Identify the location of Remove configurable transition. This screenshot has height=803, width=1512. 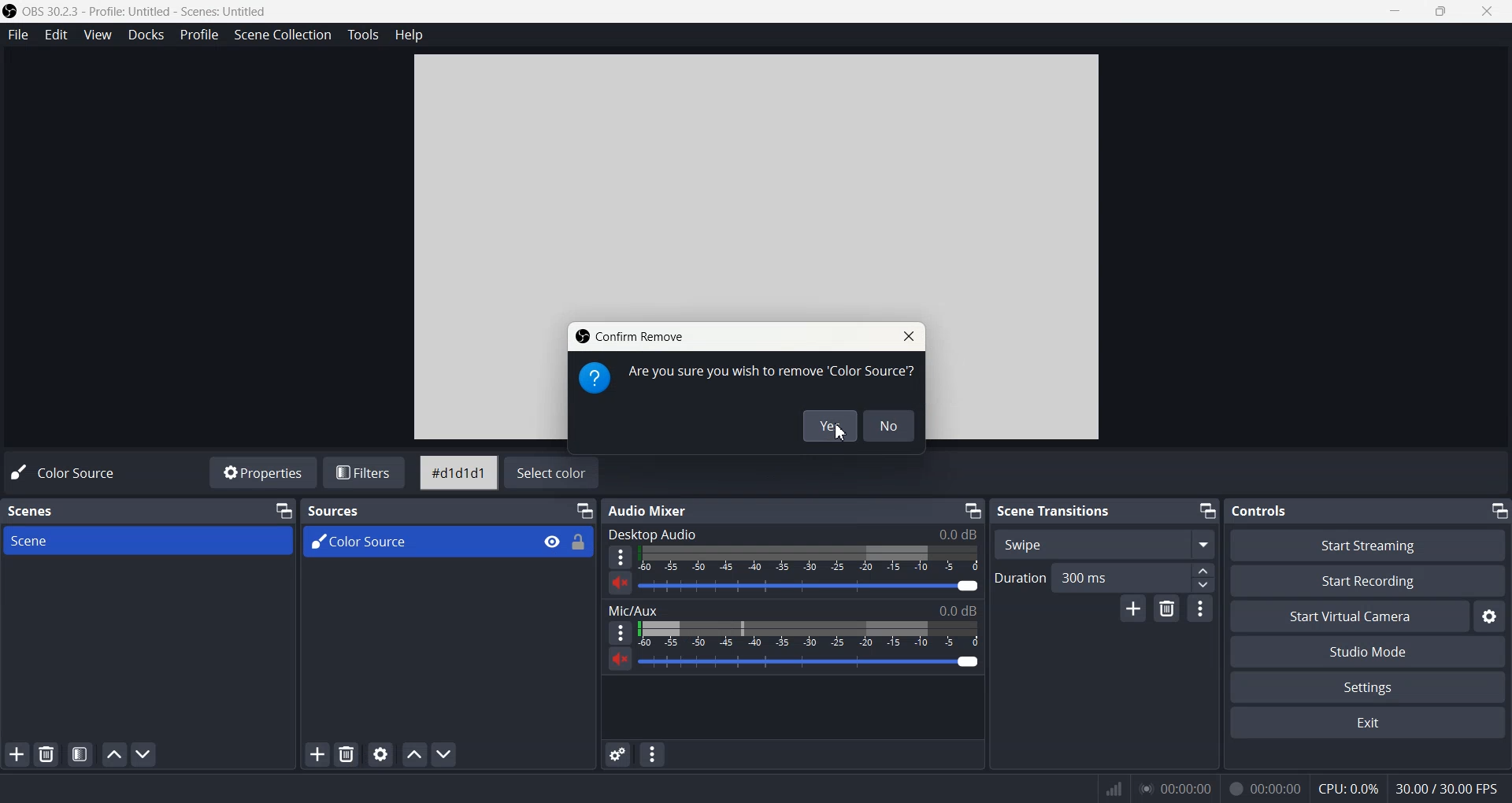
(1168, 609).